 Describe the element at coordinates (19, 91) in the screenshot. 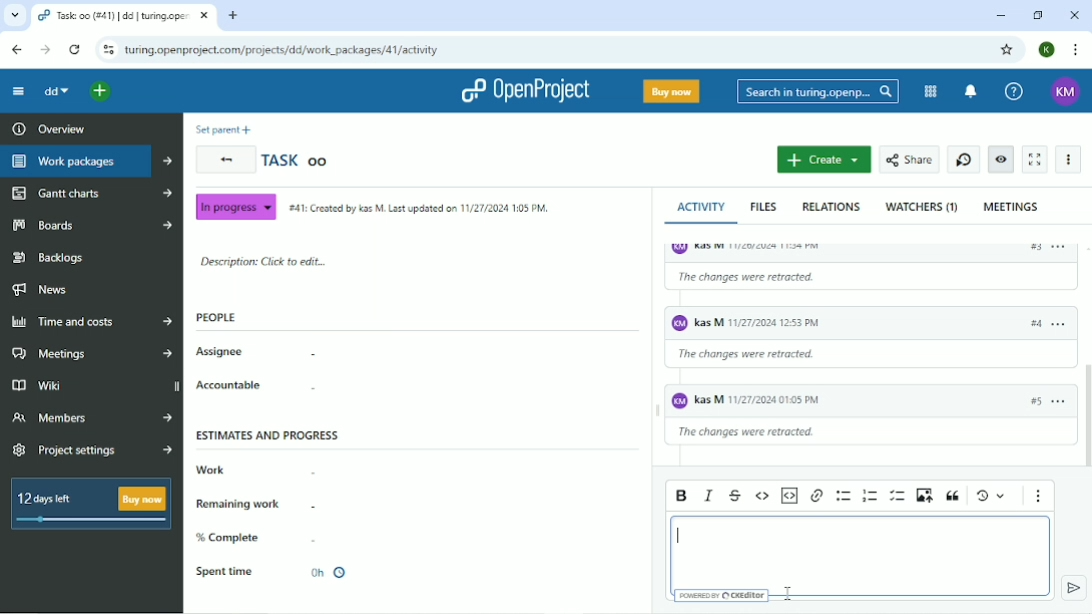

I see `Collapse project menu` at that location.